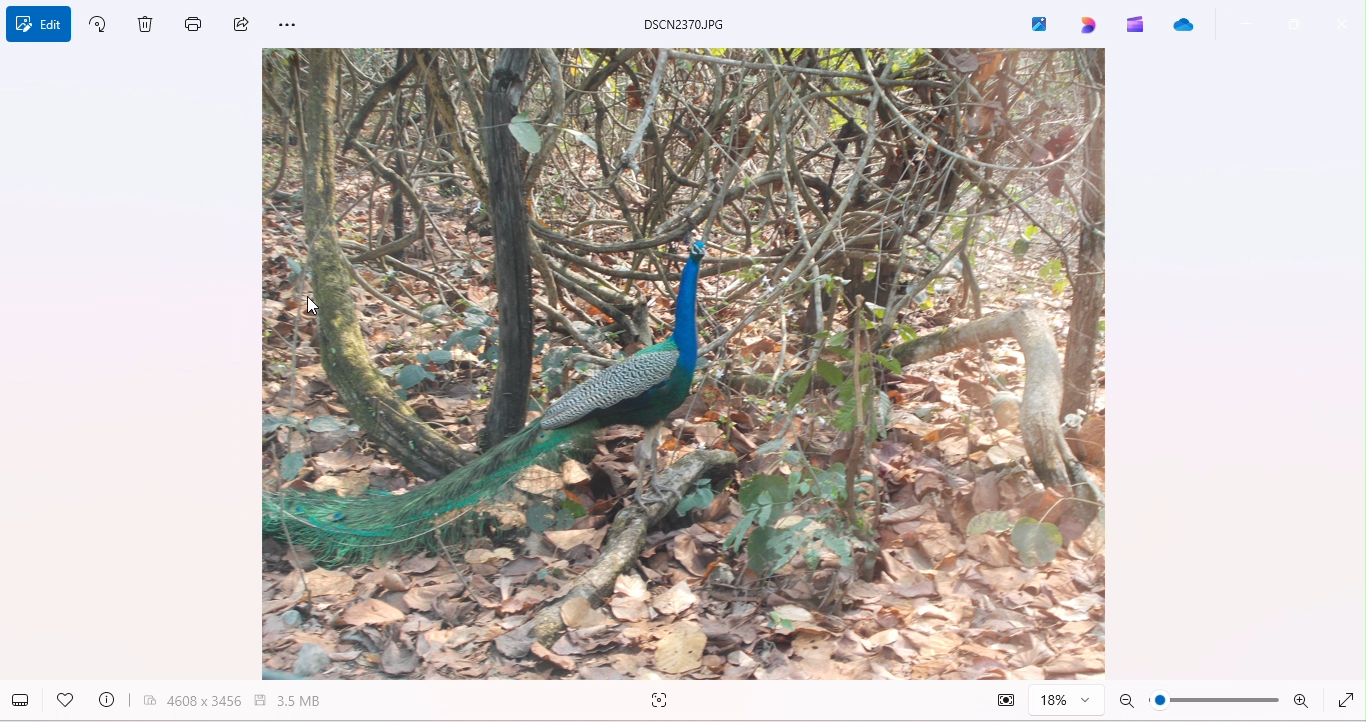 Image resolution: width=1366 pixels, height=722 pixels. Describe the element at coordinates (1216, 701) in the screenshot. I see `zoom` at that location.